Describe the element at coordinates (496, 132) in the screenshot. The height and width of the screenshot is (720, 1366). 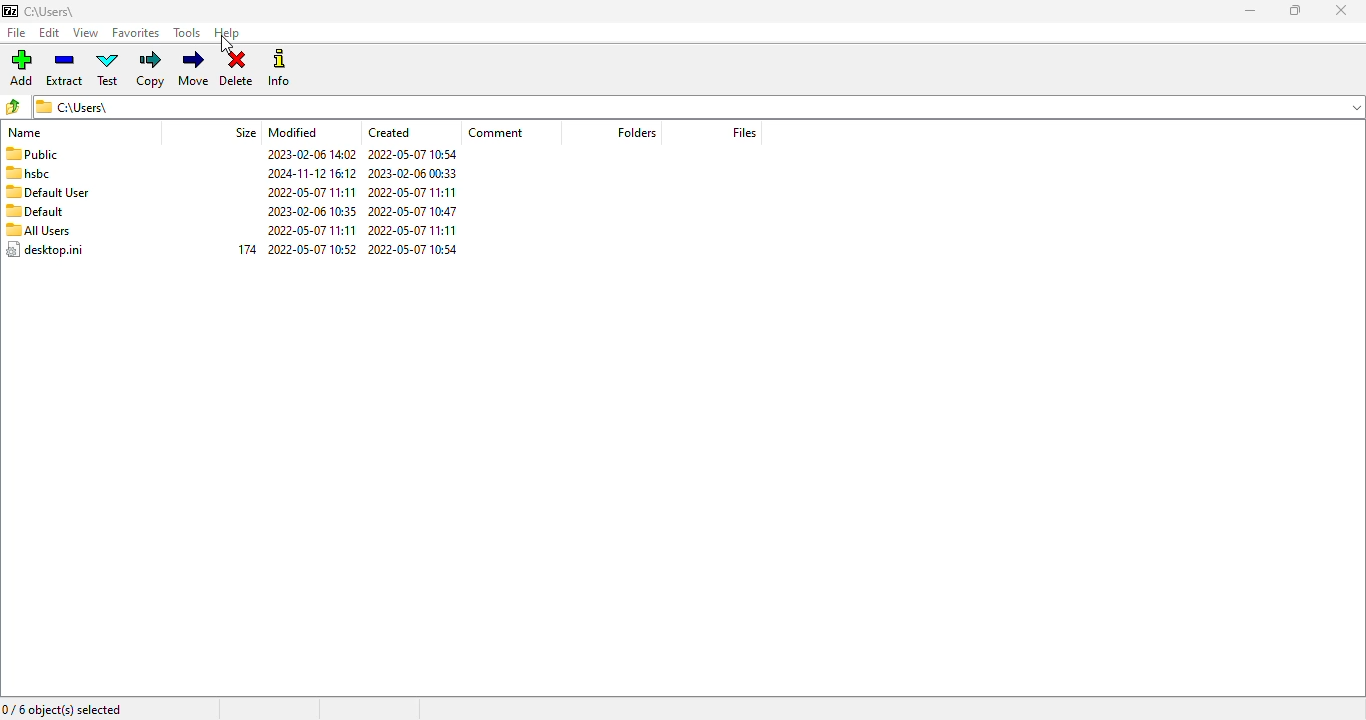
I see `comment` at that location.